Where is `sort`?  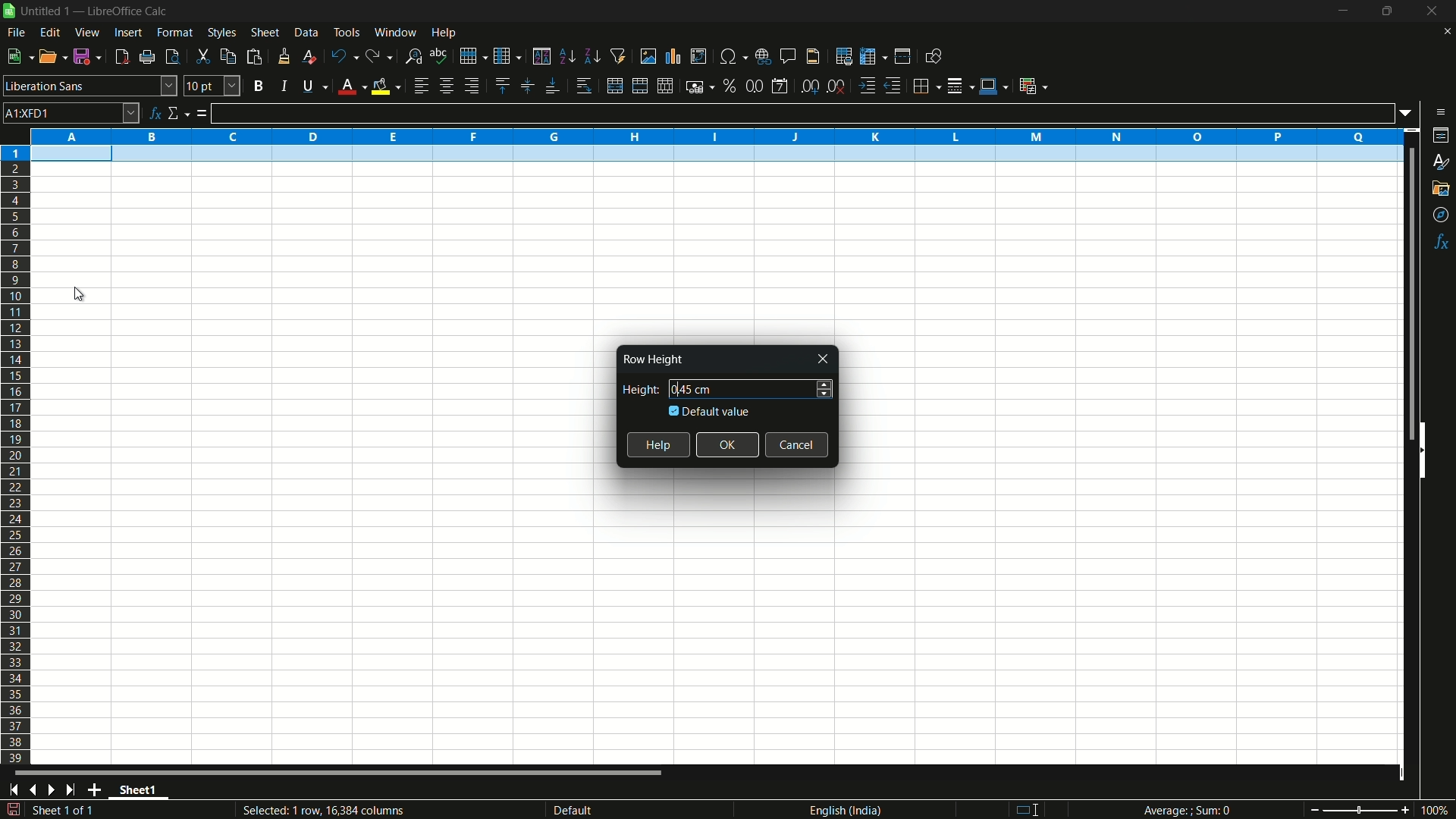
sort is located at coordinates (541, 56).